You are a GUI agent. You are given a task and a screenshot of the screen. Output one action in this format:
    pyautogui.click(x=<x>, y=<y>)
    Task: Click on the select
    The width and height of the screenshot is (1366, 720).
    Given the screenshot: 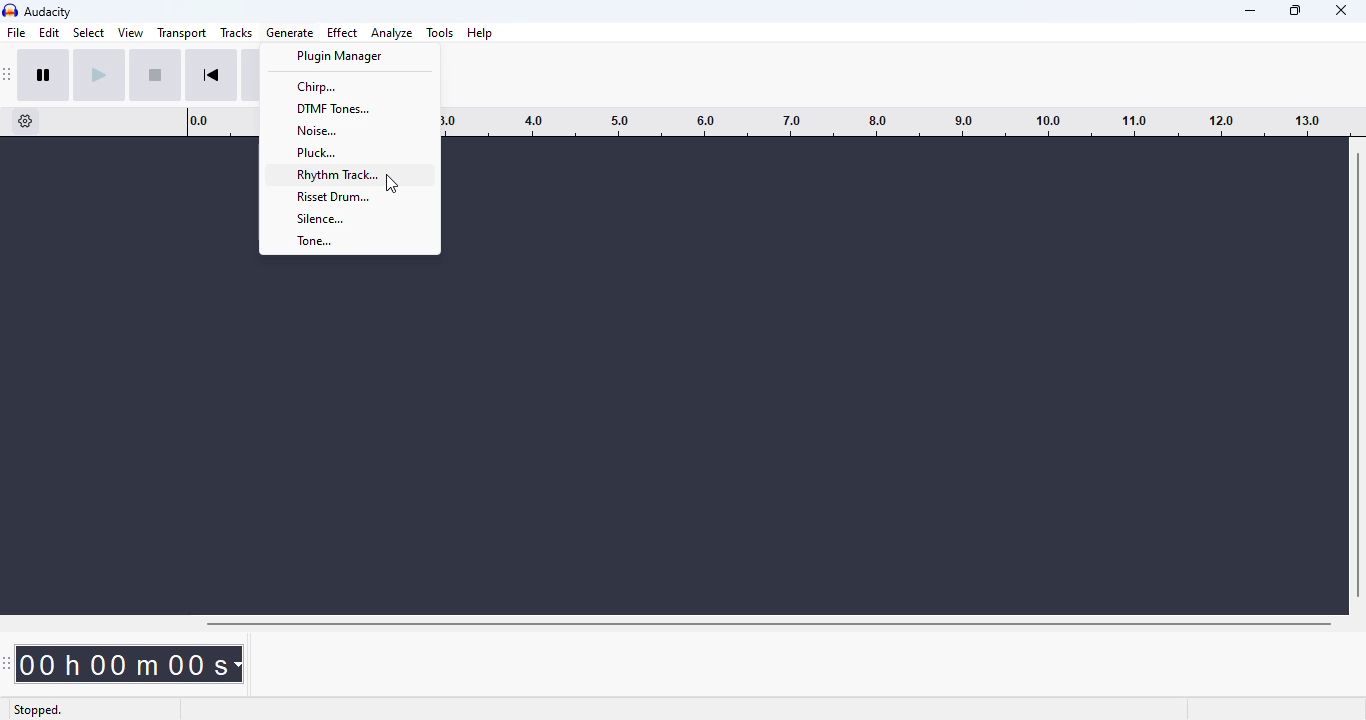 What is the action you would take?
    pyautogui.click(x=89, y=32)
    